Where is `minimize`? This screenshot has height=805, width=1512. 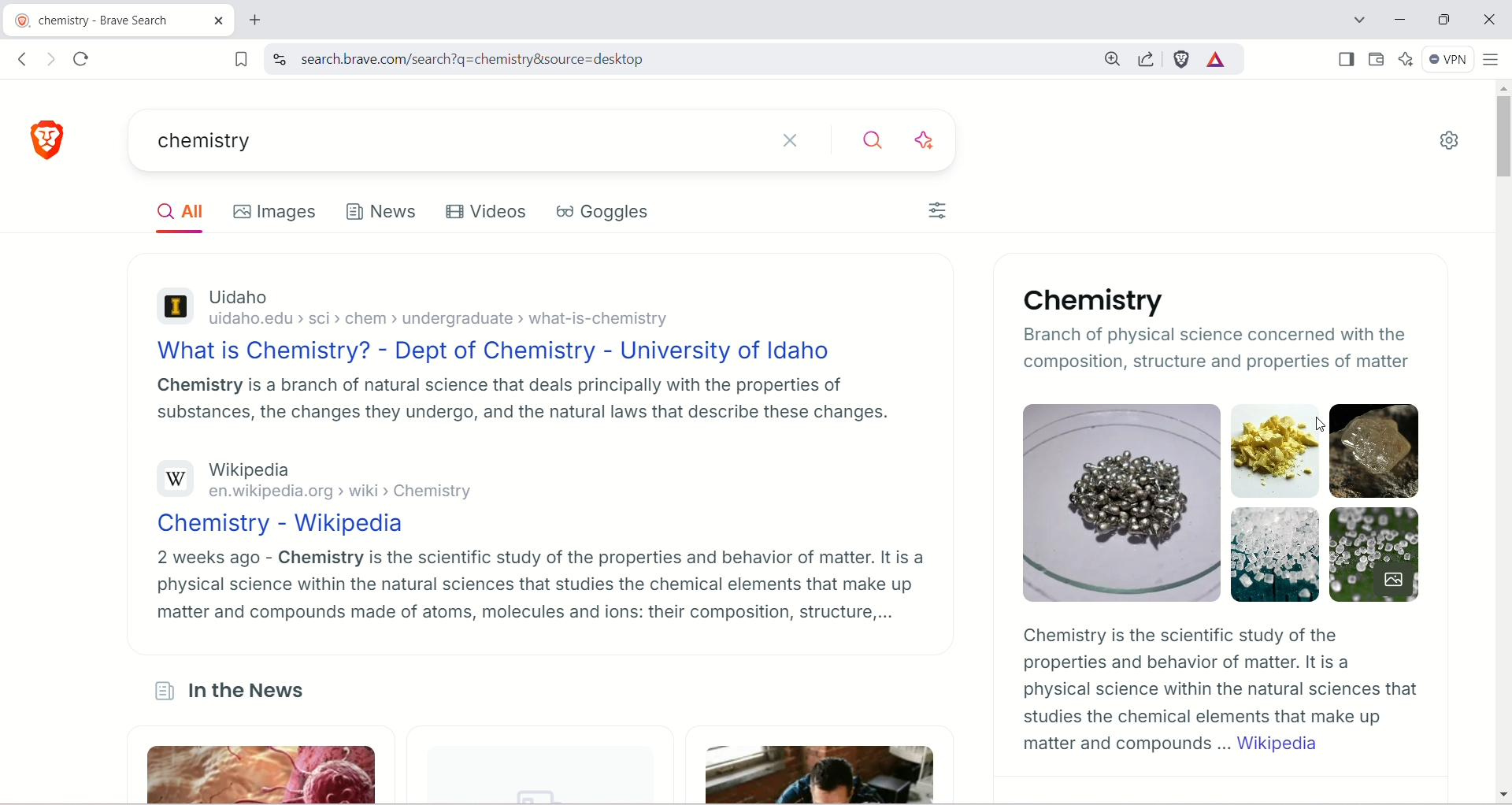 minimize is located at coordinates (1399, 20).